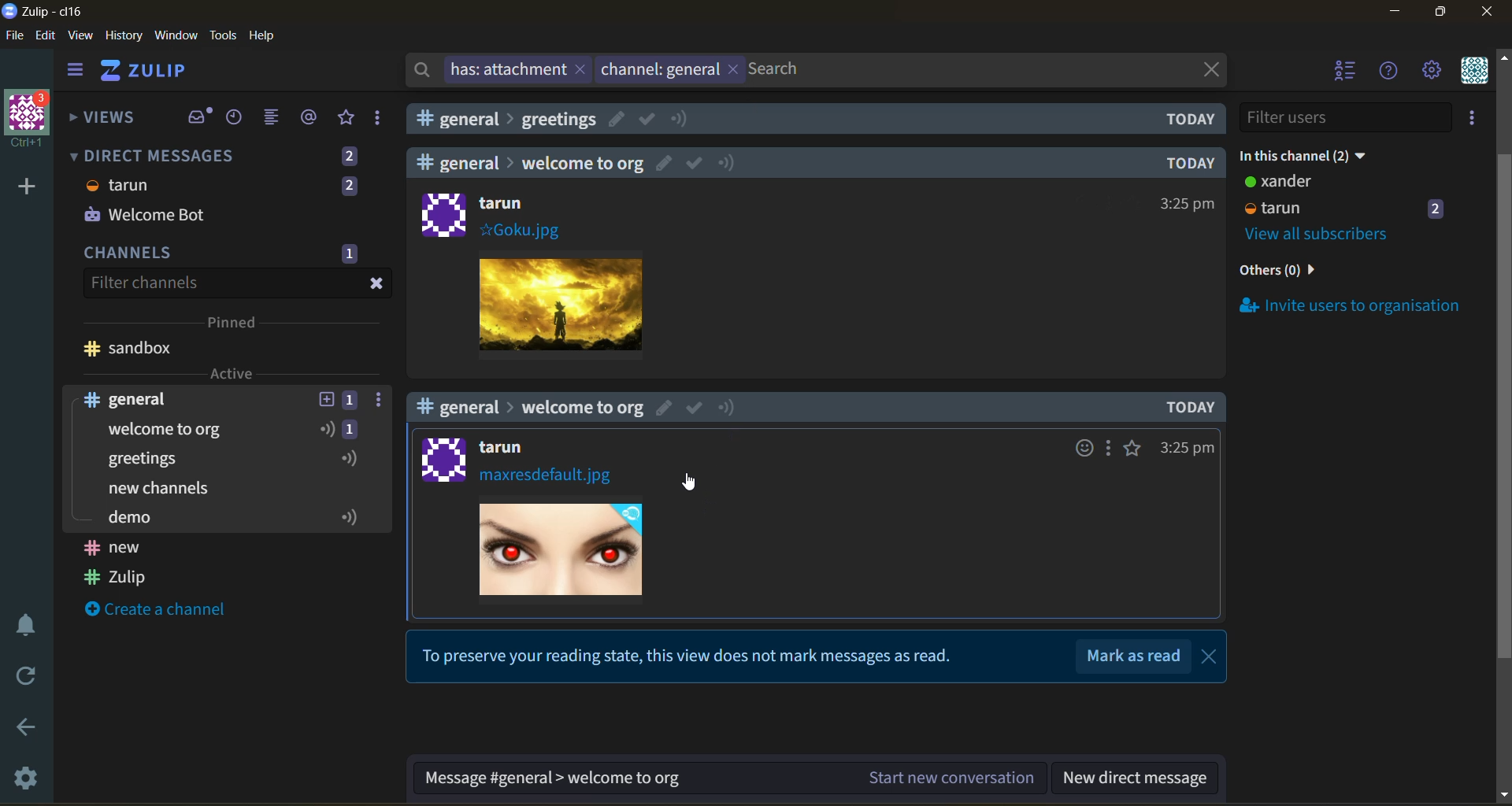 The image size is (1512, 806). Describe the element at coordinates (109, 118) in the screenshot. I see `views` at that location.